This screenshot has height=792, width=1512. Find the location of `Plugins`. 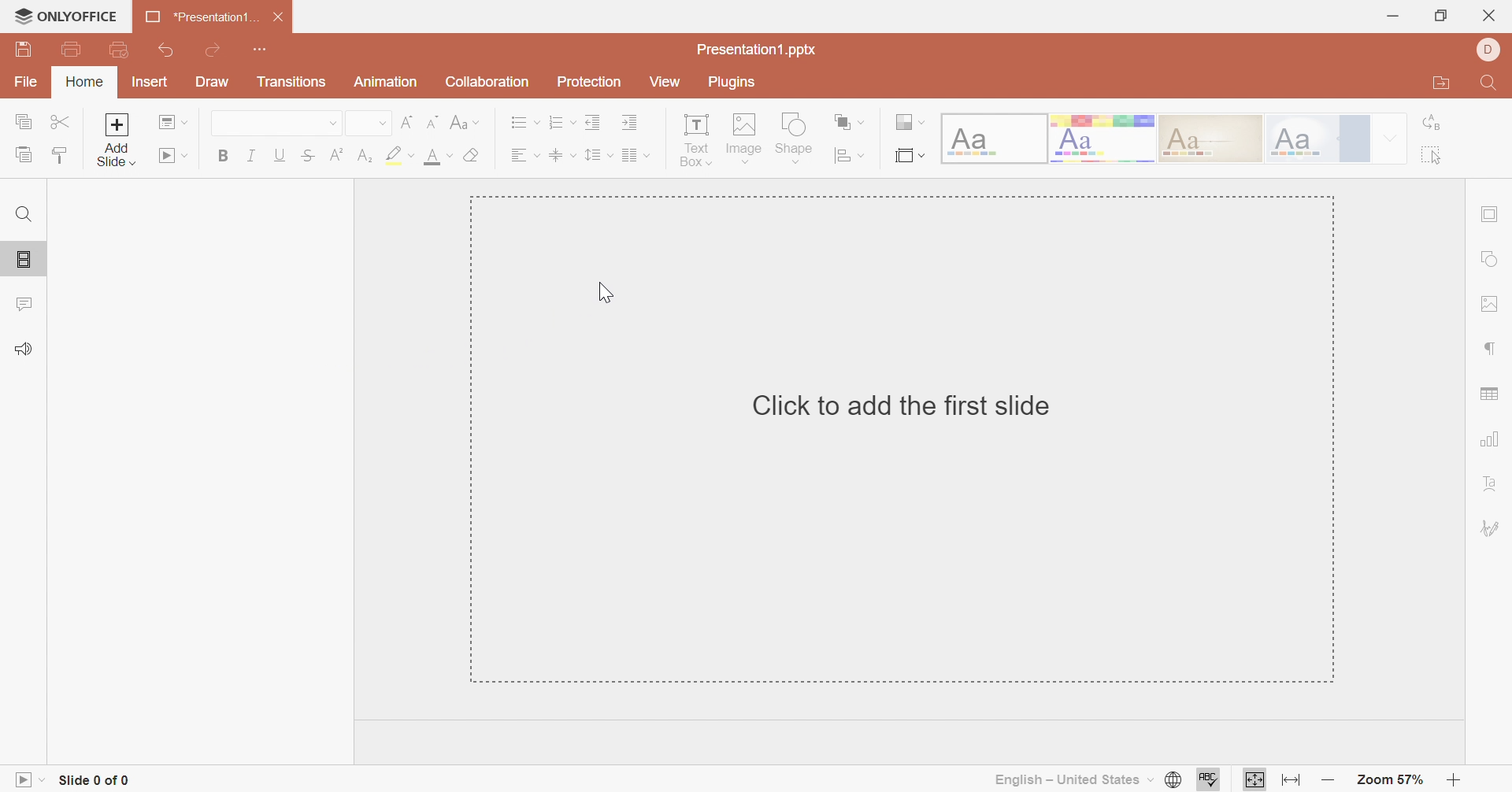

Plugins is located at coordinates (738, 84).